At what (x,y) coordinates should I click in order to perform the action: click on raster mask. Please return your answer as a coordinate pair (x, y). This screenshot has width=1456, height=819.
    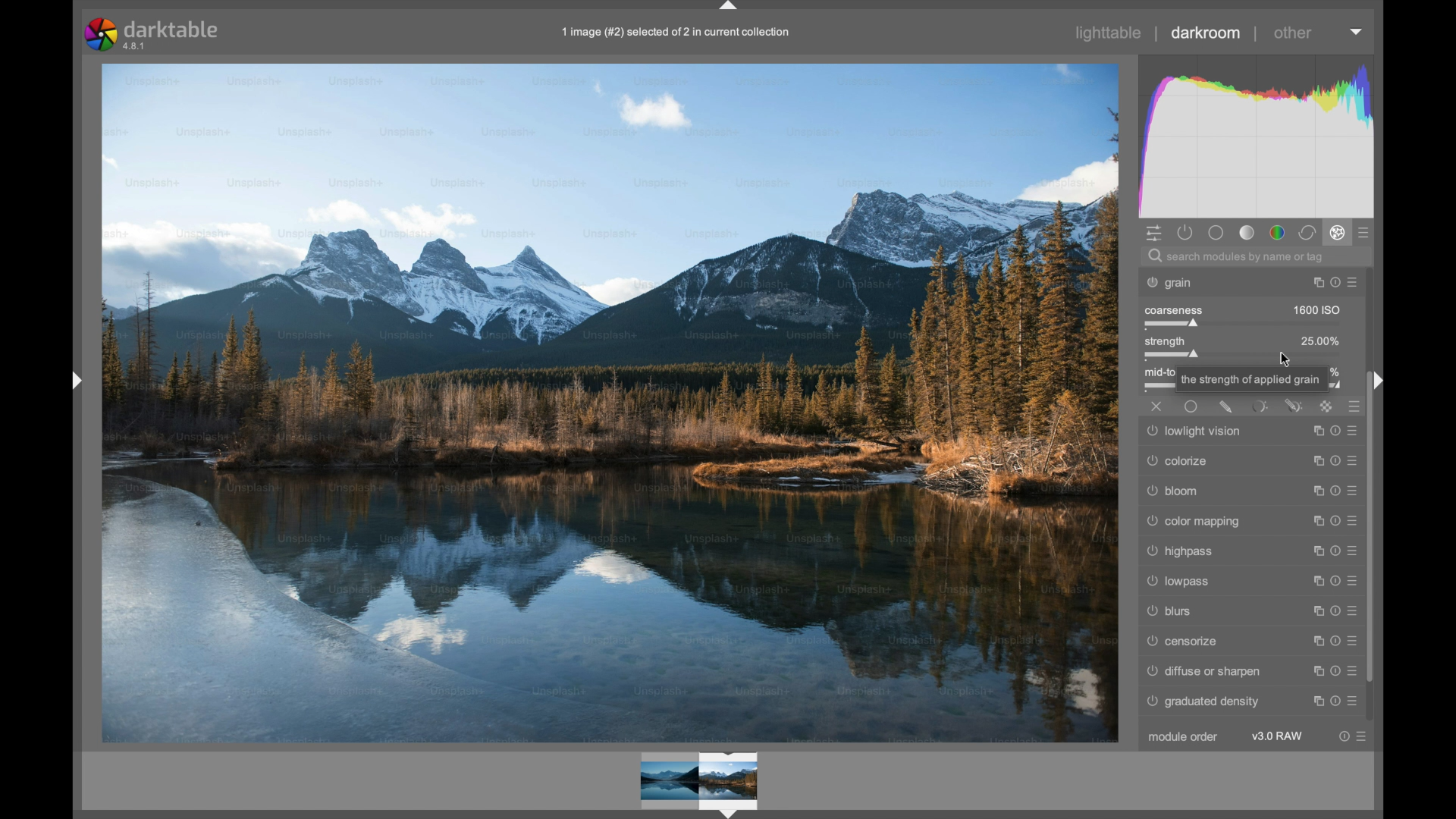
    Looking at the image, I should click on (1327, 406).